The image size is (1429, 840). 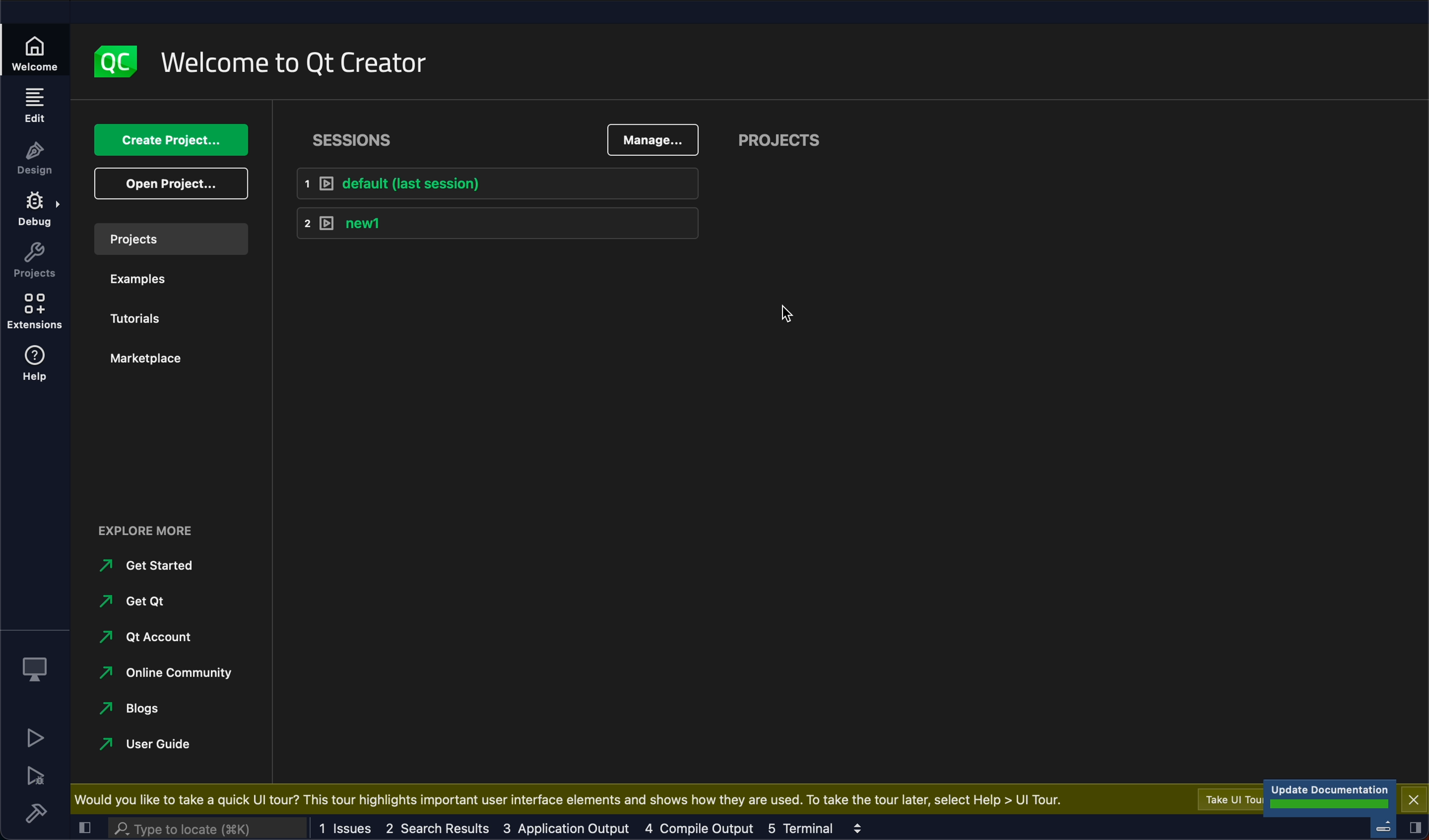 What do you see at coordinates (491, 186) in the screenshot?
I see `default` at bounding box center [491, 186].